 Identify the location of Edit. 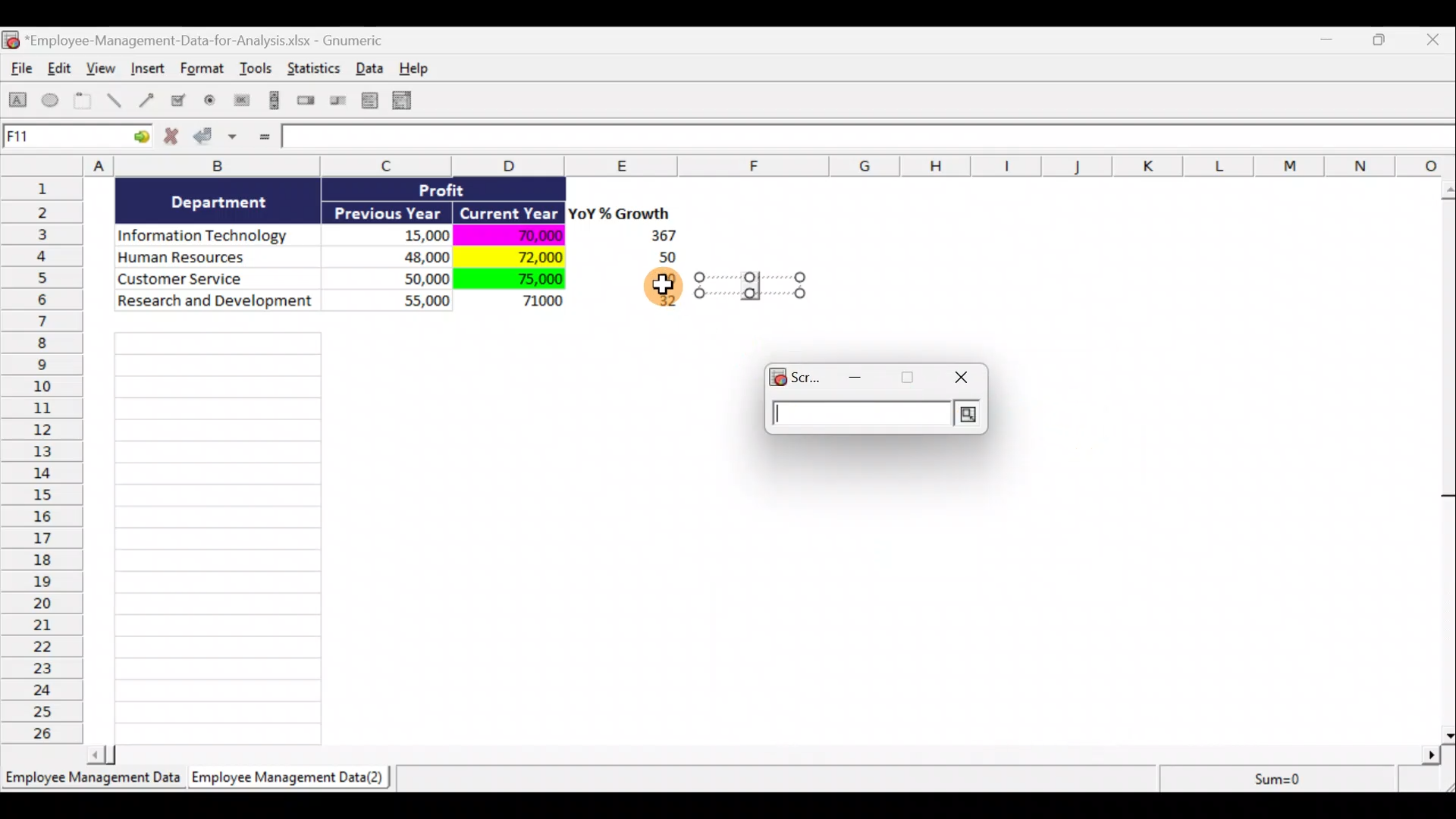
(61, 70).